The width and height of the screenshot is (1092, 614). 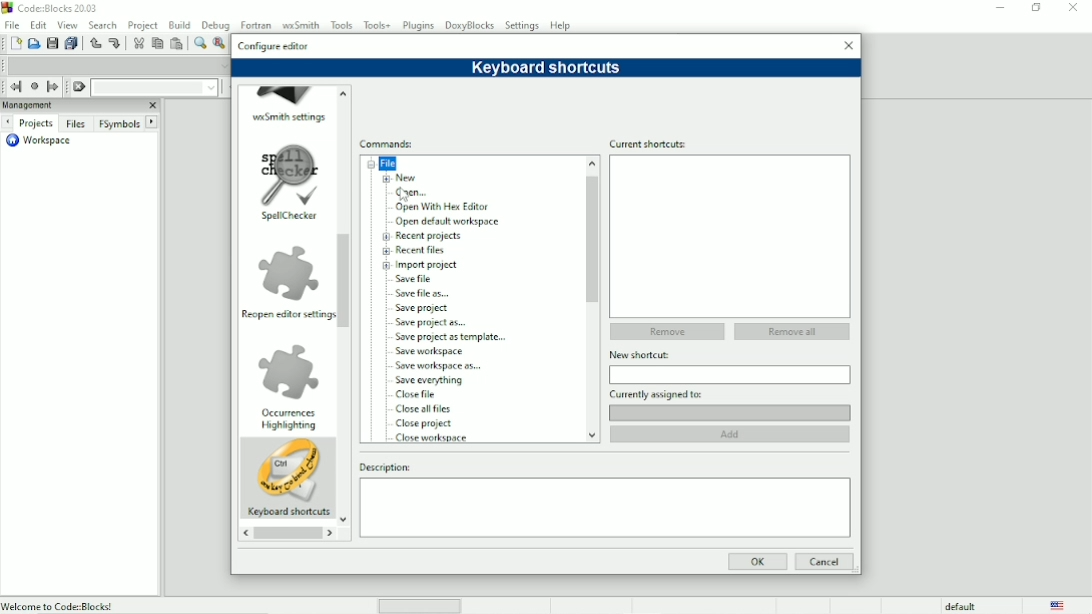 I want to click on Currently assigned to, so click(x=730, y=394).